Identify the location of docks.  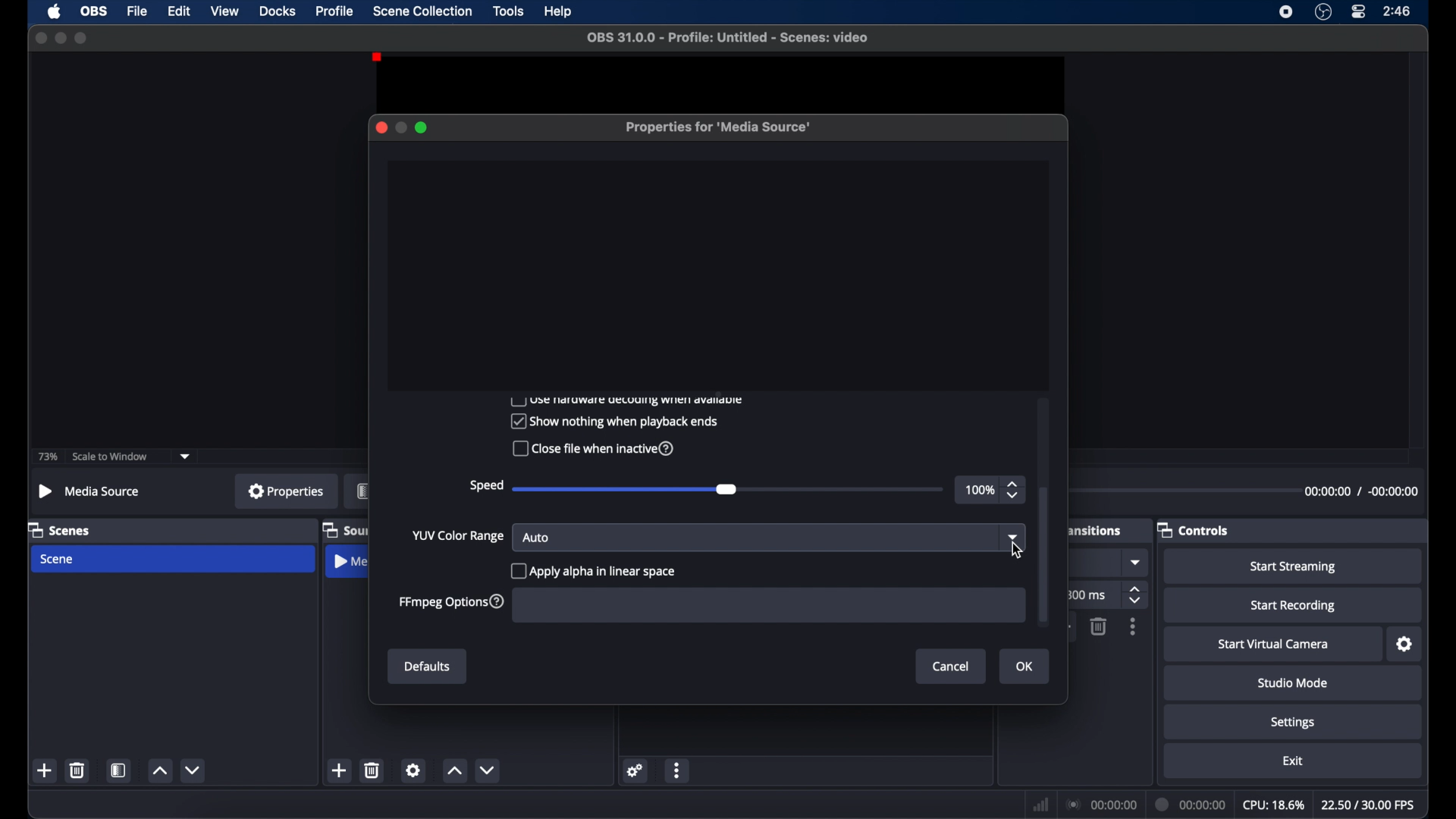
(278, 11).